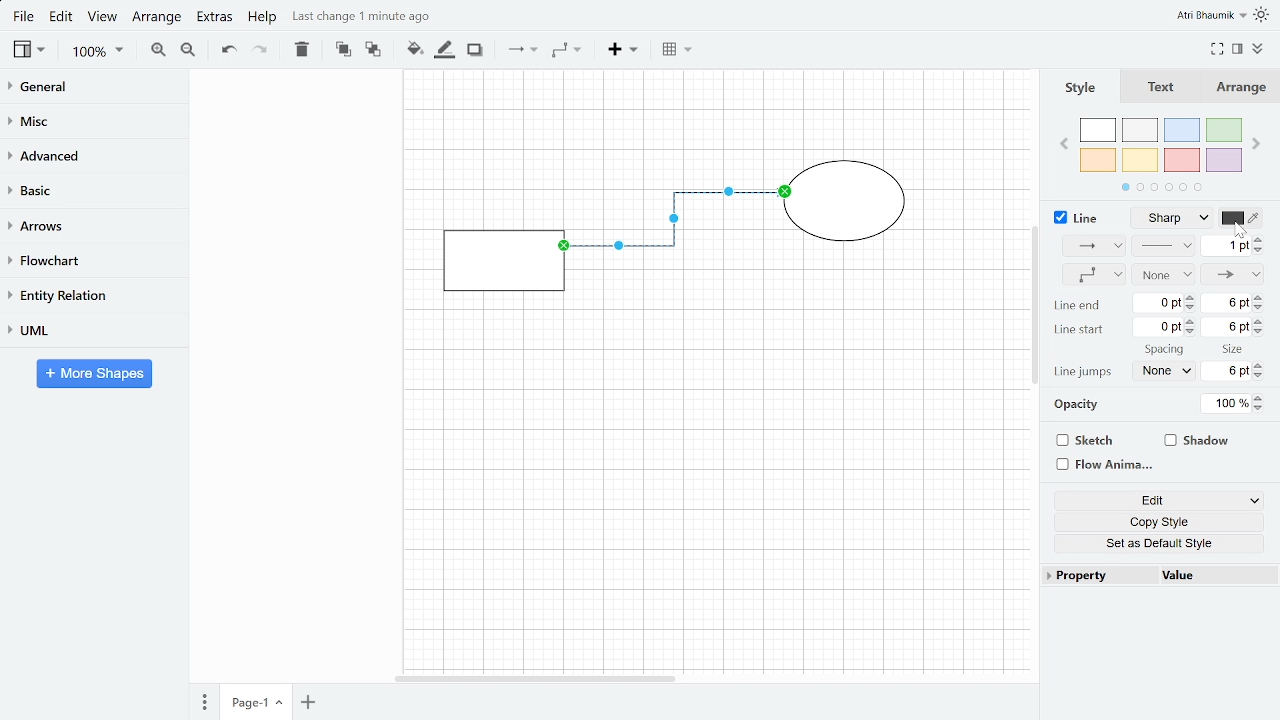  Describe the element at coordinates (1224, 160) in the screenshot. I see `violet` at that location.